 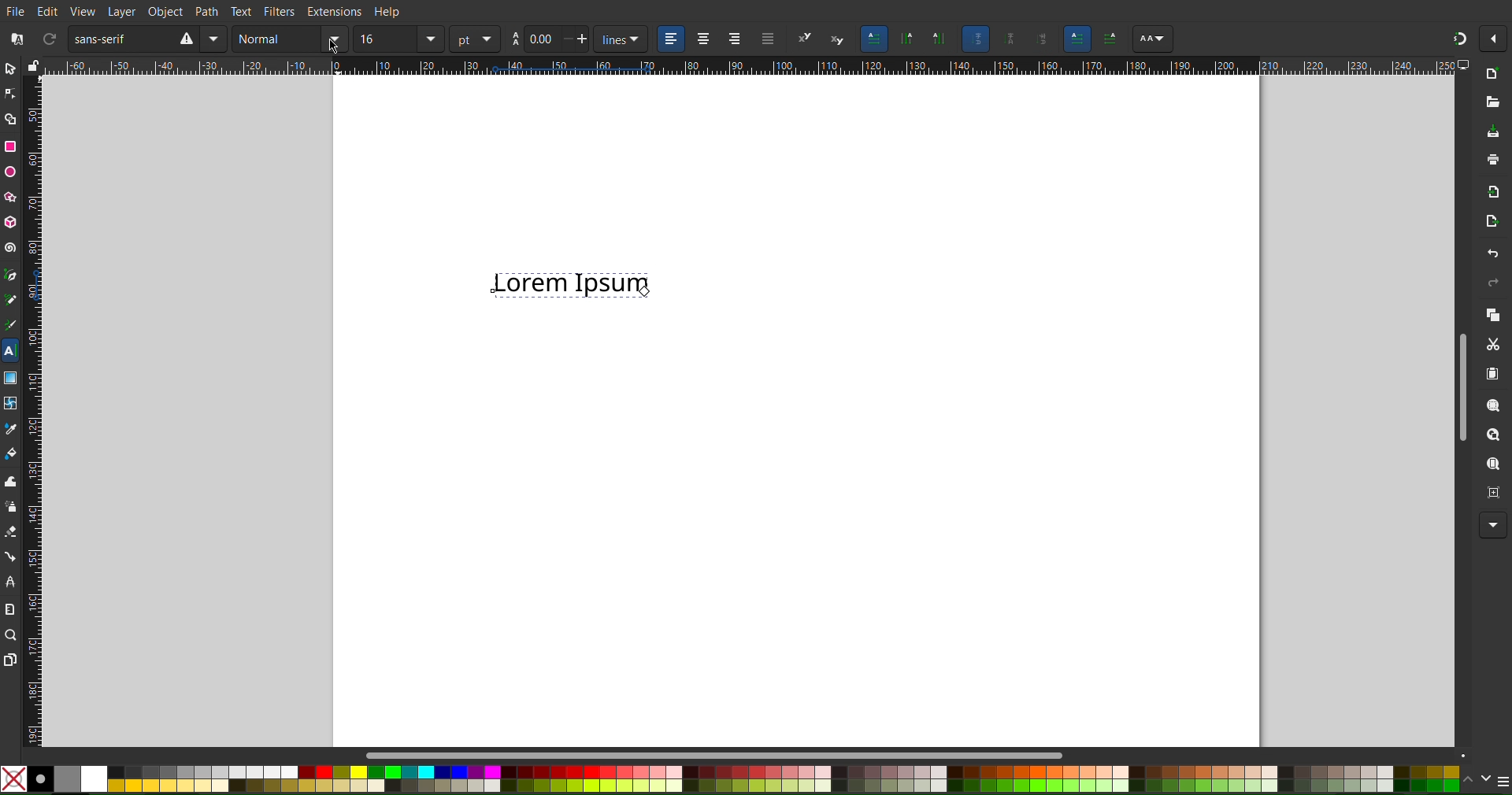 I want to click on Mesh Tool, so click(x=10, y=403).